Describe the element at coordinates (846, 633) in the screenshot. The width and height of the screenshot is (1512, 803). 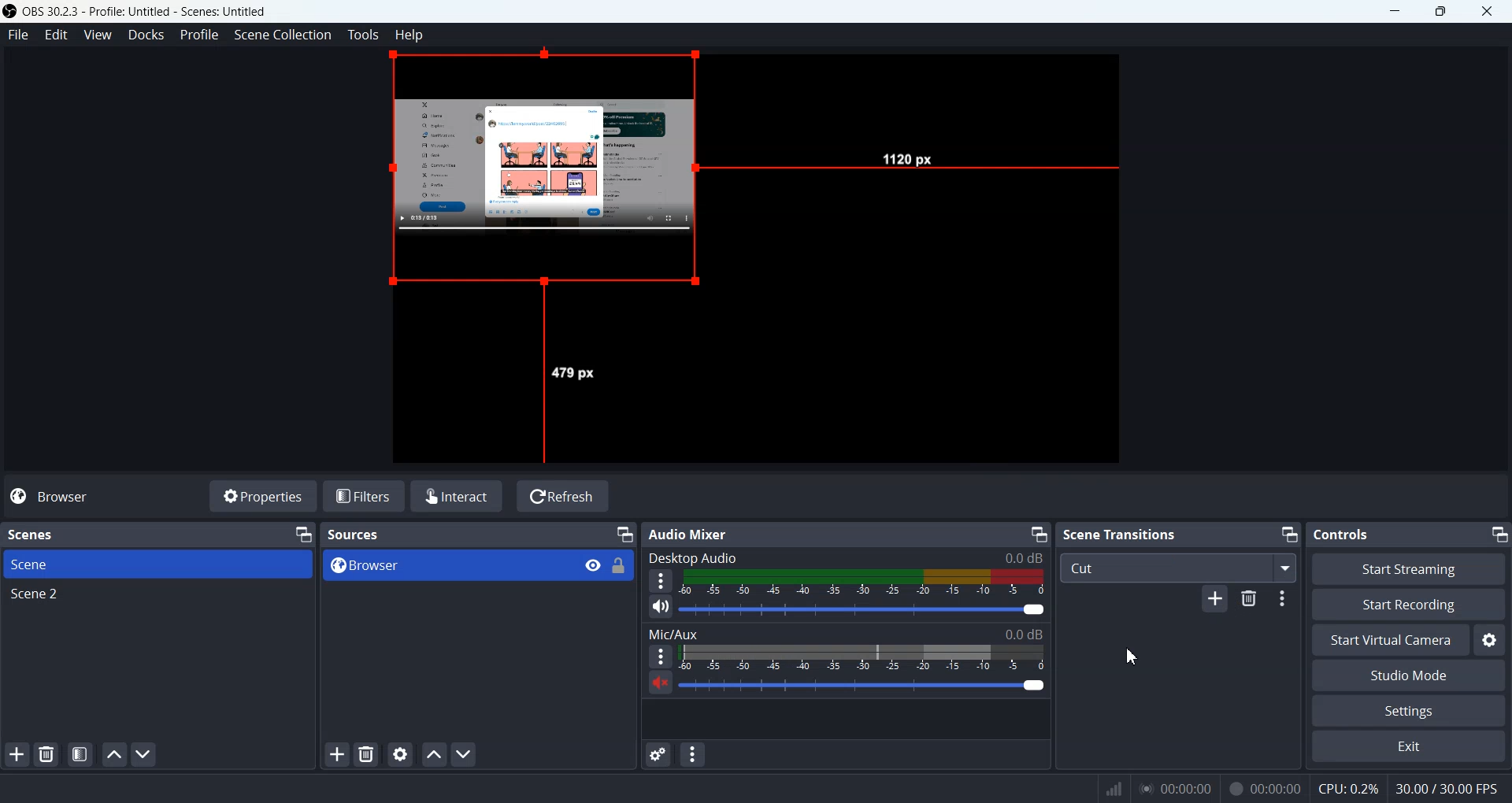
I see `Text` at that location.